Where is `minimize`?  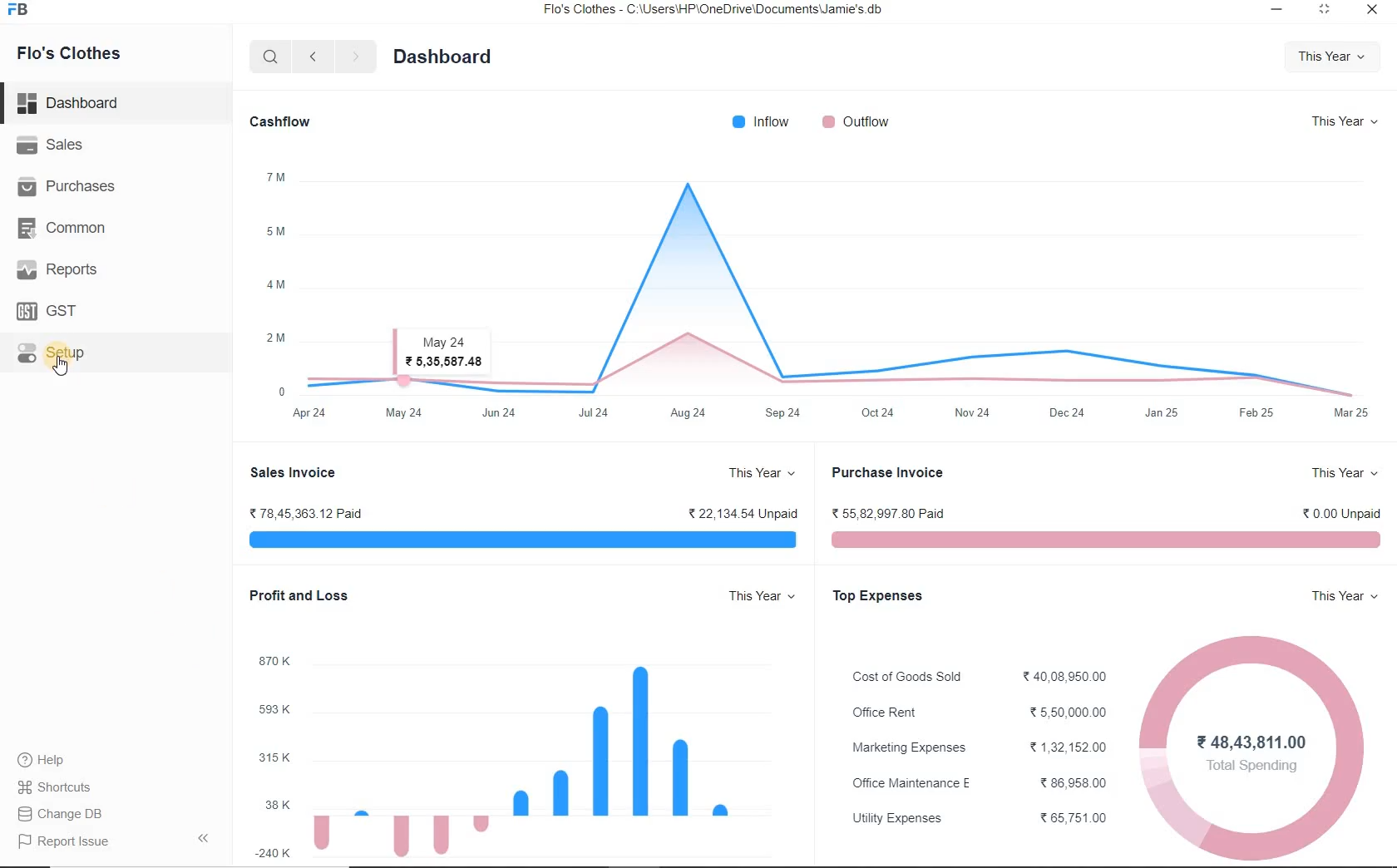
minimize is located at coordinates (1277, 11).